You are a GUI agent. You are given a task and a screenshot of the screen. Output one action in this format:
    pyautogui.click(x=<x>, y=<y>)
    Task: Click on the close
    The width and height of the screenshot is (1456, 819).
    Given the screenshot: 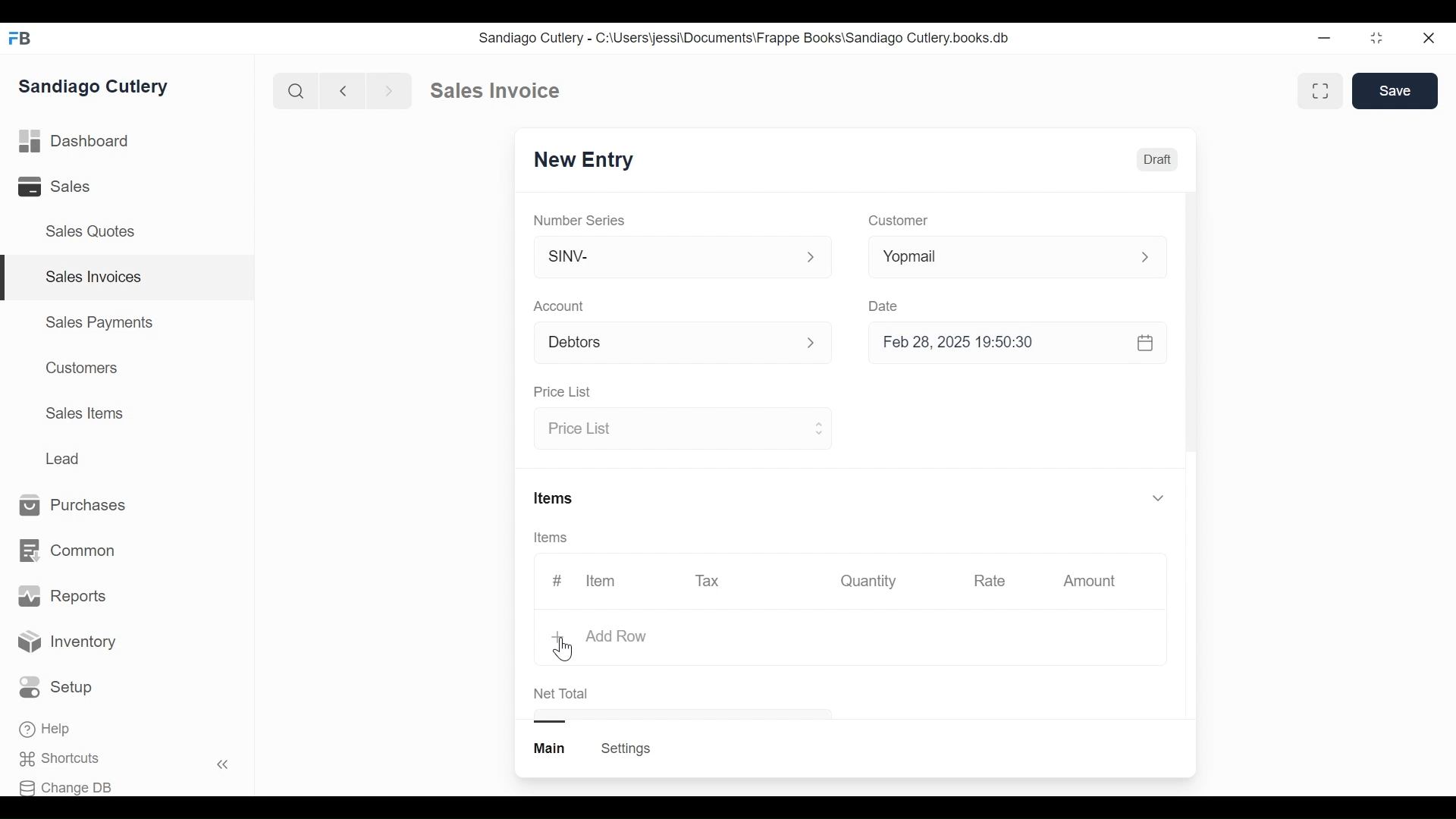 What is the action you would take?
    pyautogui.click(x=1430, y=39)
    